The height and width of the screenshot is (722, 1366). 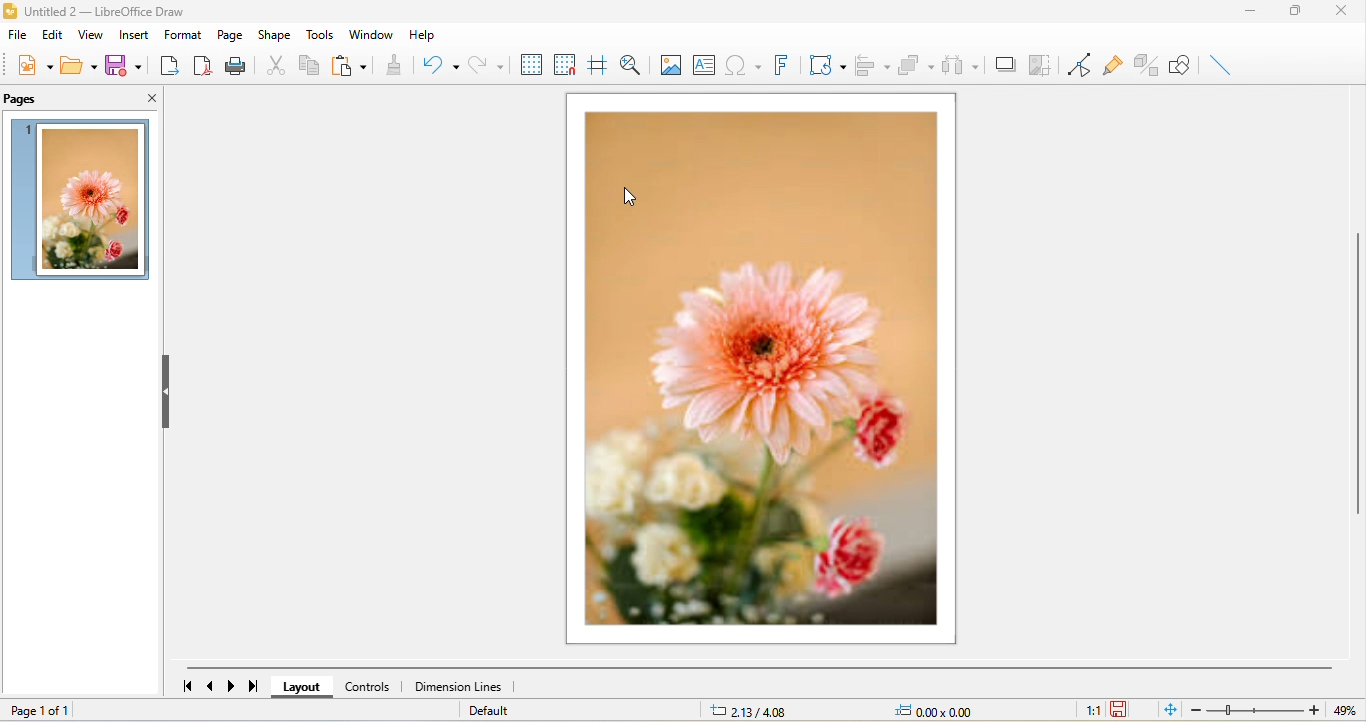 I want to click on fit to the current window, so click(x=1173, y=710).